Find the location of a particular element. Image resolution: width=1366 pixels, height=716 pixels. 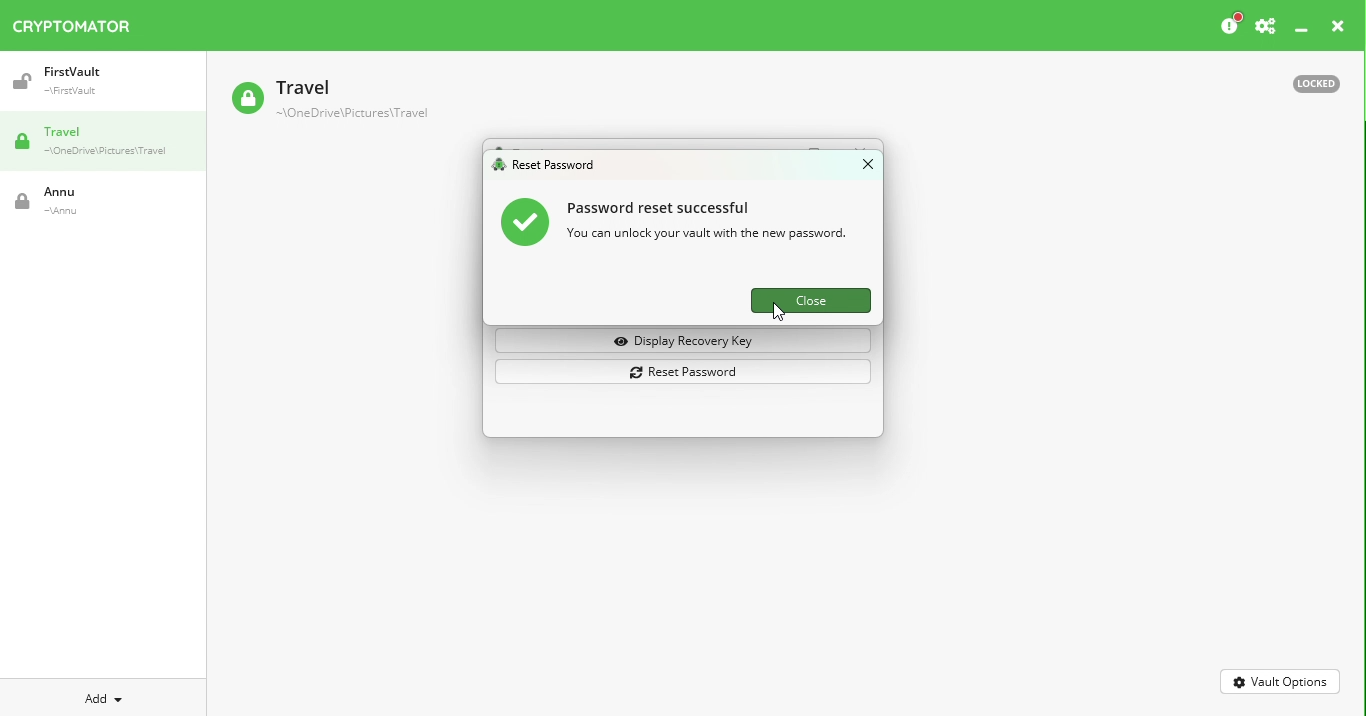

Password reset successful is located at coordinates (682, 225).